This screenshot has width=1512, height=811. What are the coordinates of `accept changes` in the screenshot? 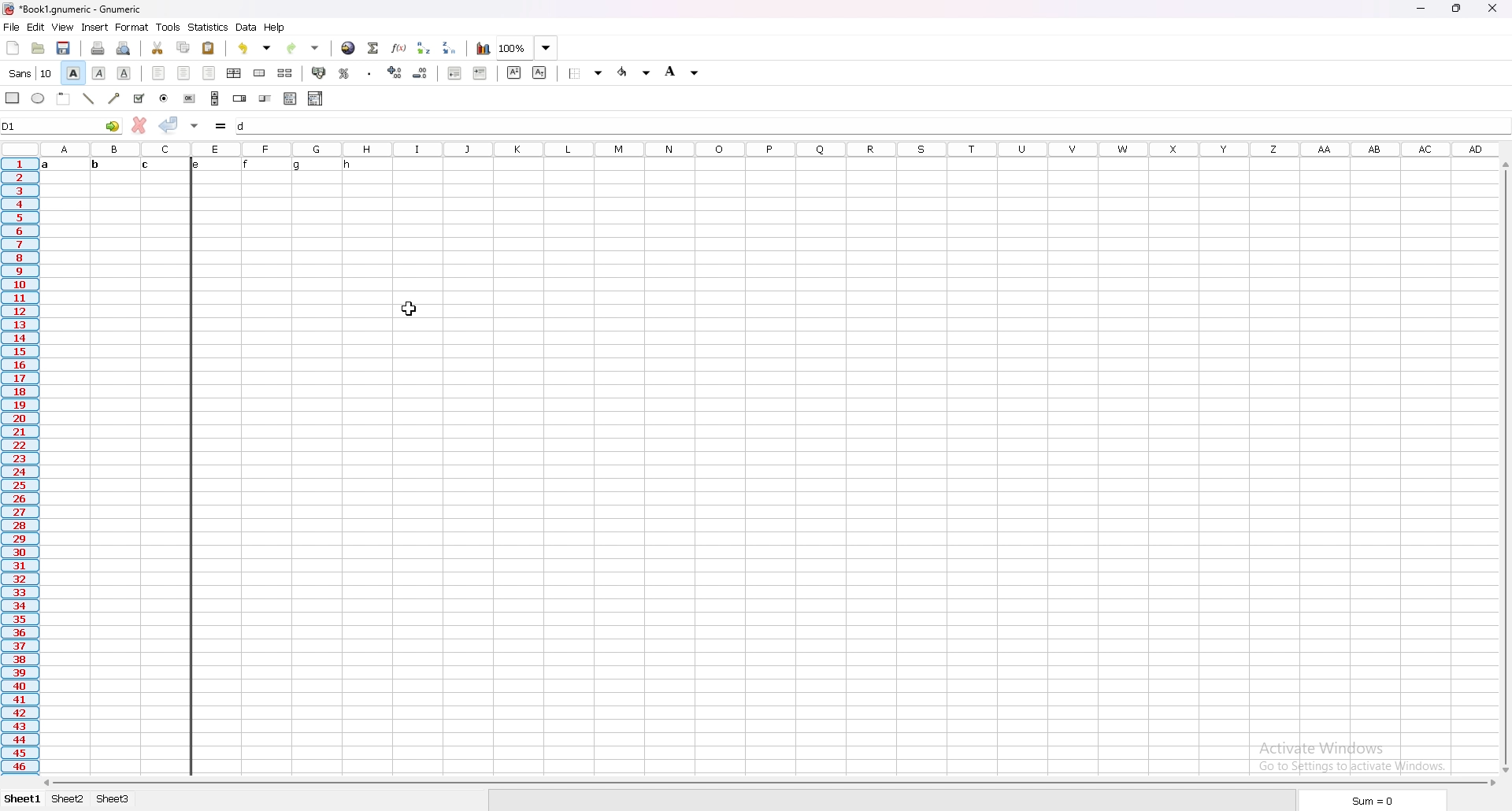 It's located at (169, 124).